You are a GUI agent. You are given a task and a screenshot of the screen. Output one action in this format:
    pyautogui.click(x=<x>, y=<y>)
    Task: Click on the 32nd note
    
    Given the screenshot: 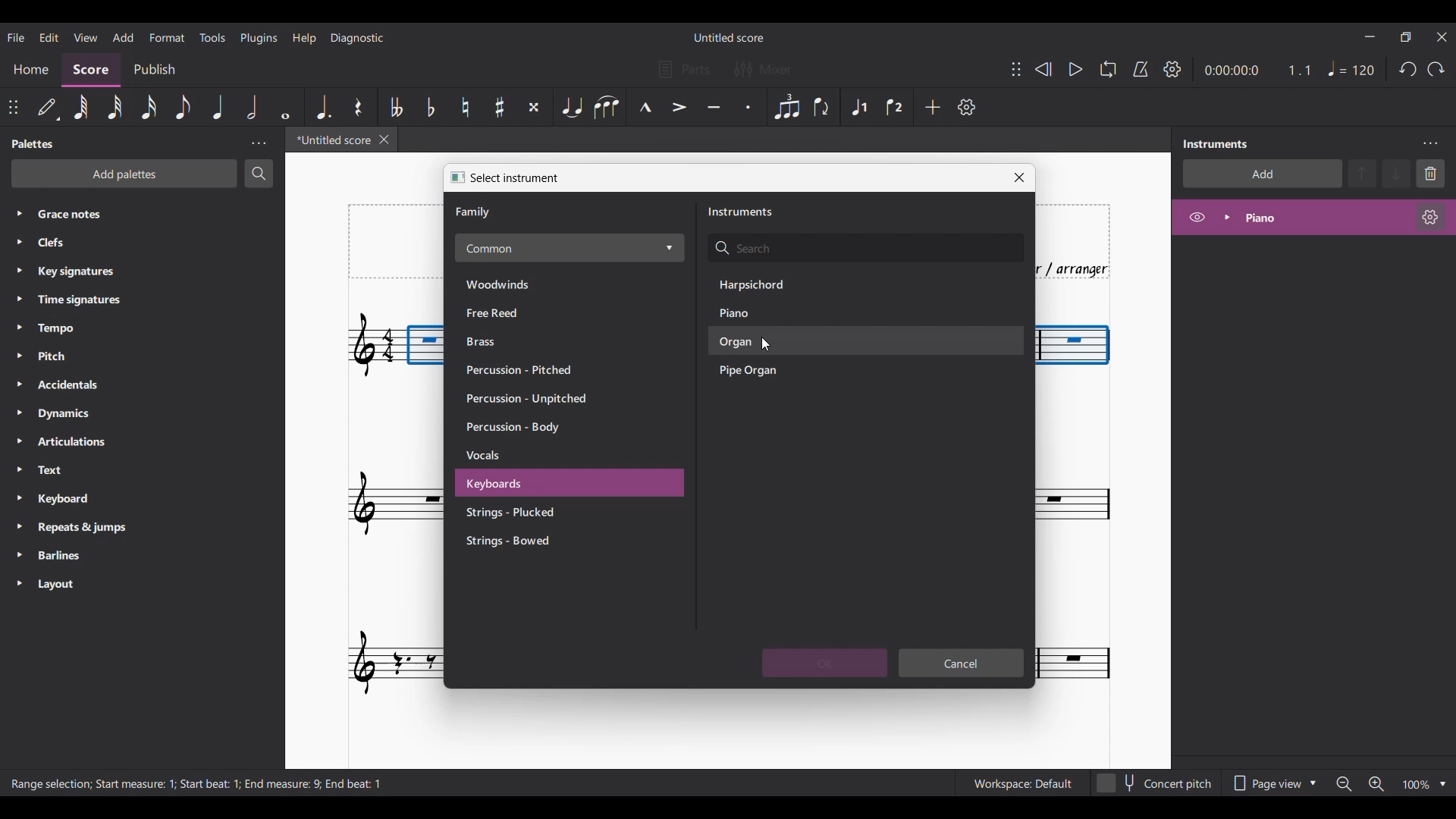 What is the action you would take?
    pyautogui.click(x=113, y=107)
    